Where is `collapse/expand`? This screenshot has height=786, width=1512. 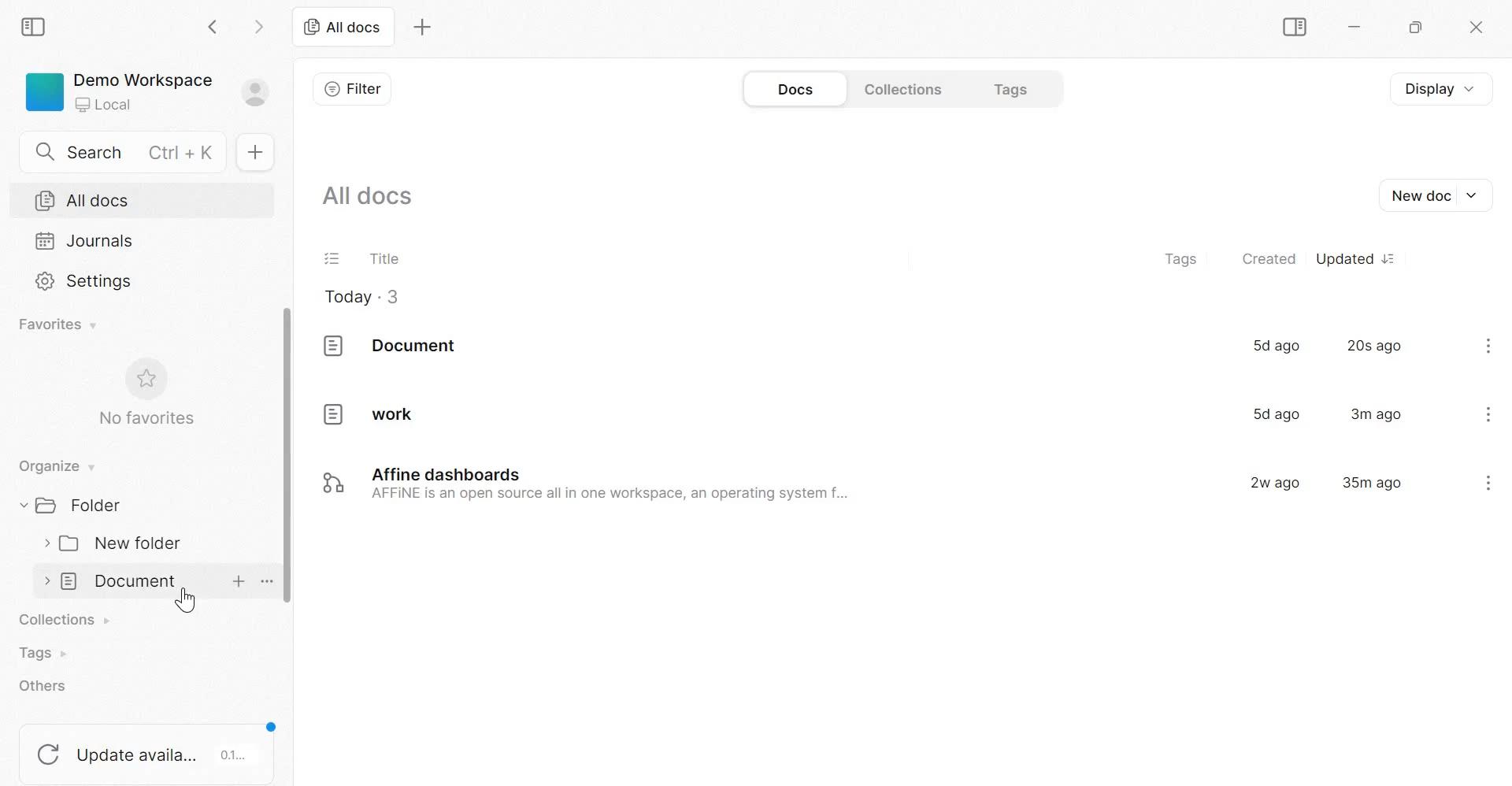 collapse/expand is located at coordinates (46, 580).